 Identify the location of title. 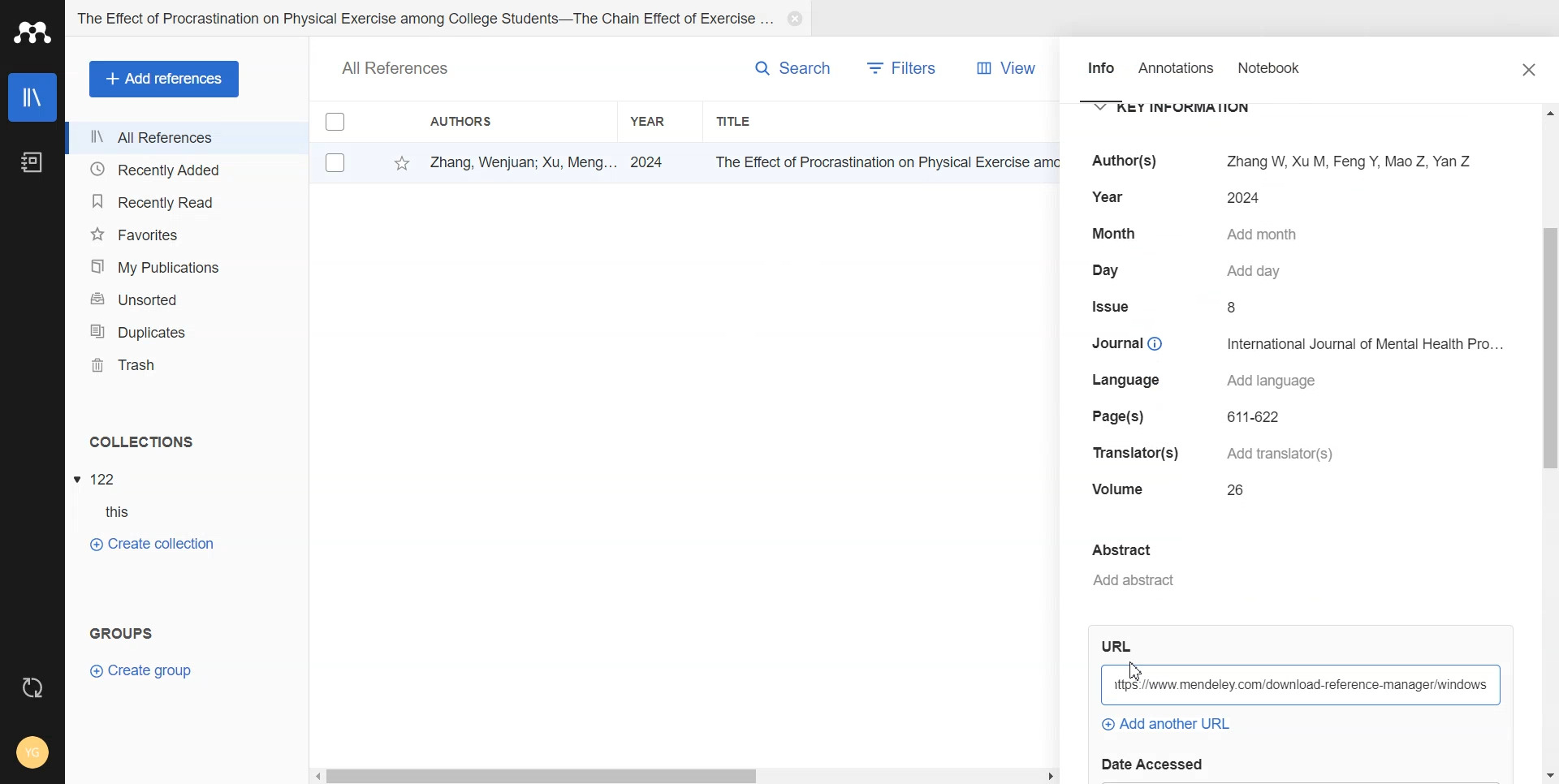
(879, 162).